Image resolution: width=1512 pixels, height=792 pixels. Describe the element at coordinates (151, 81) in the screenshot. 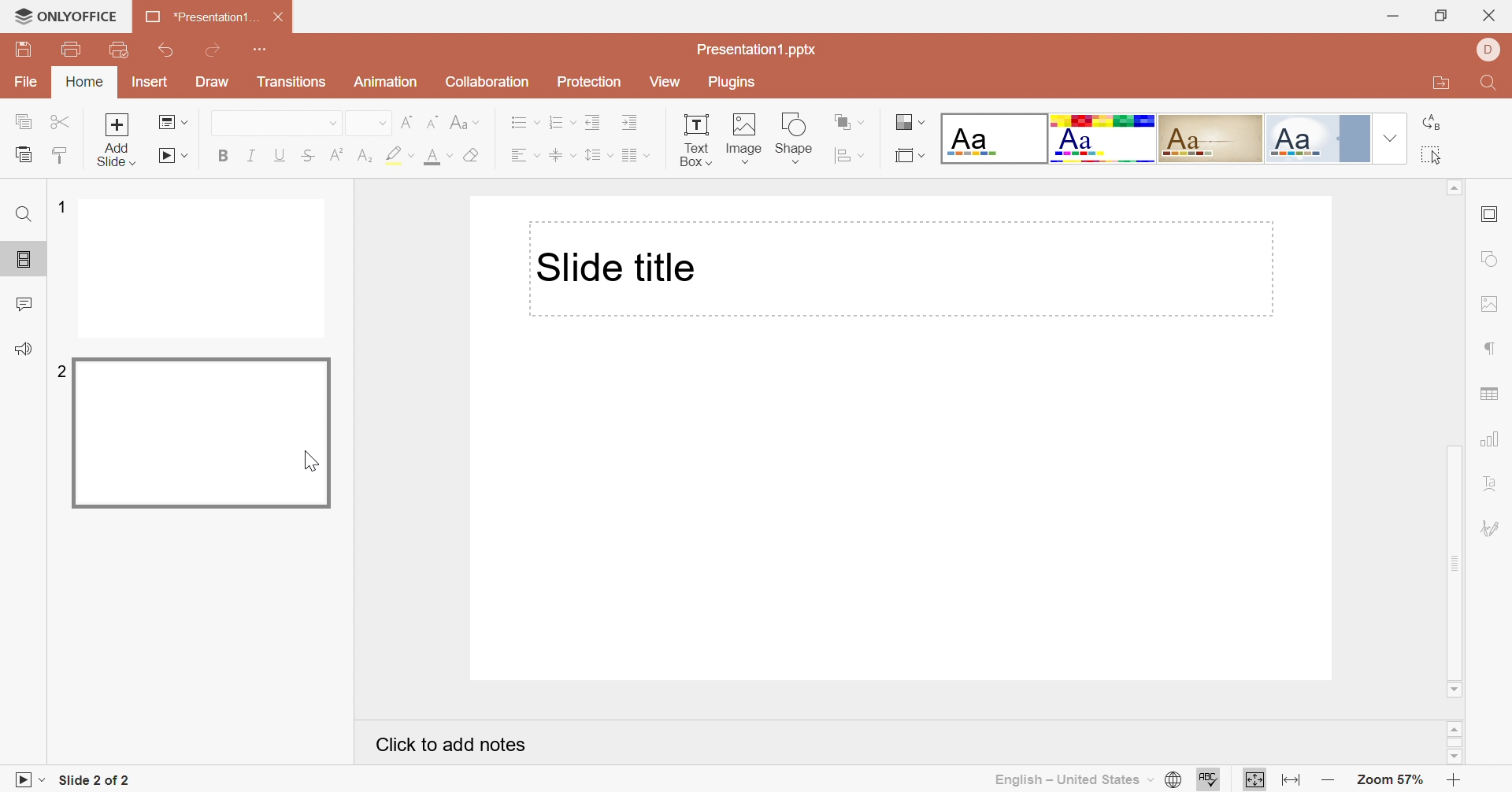

I see `Insert` at that location.